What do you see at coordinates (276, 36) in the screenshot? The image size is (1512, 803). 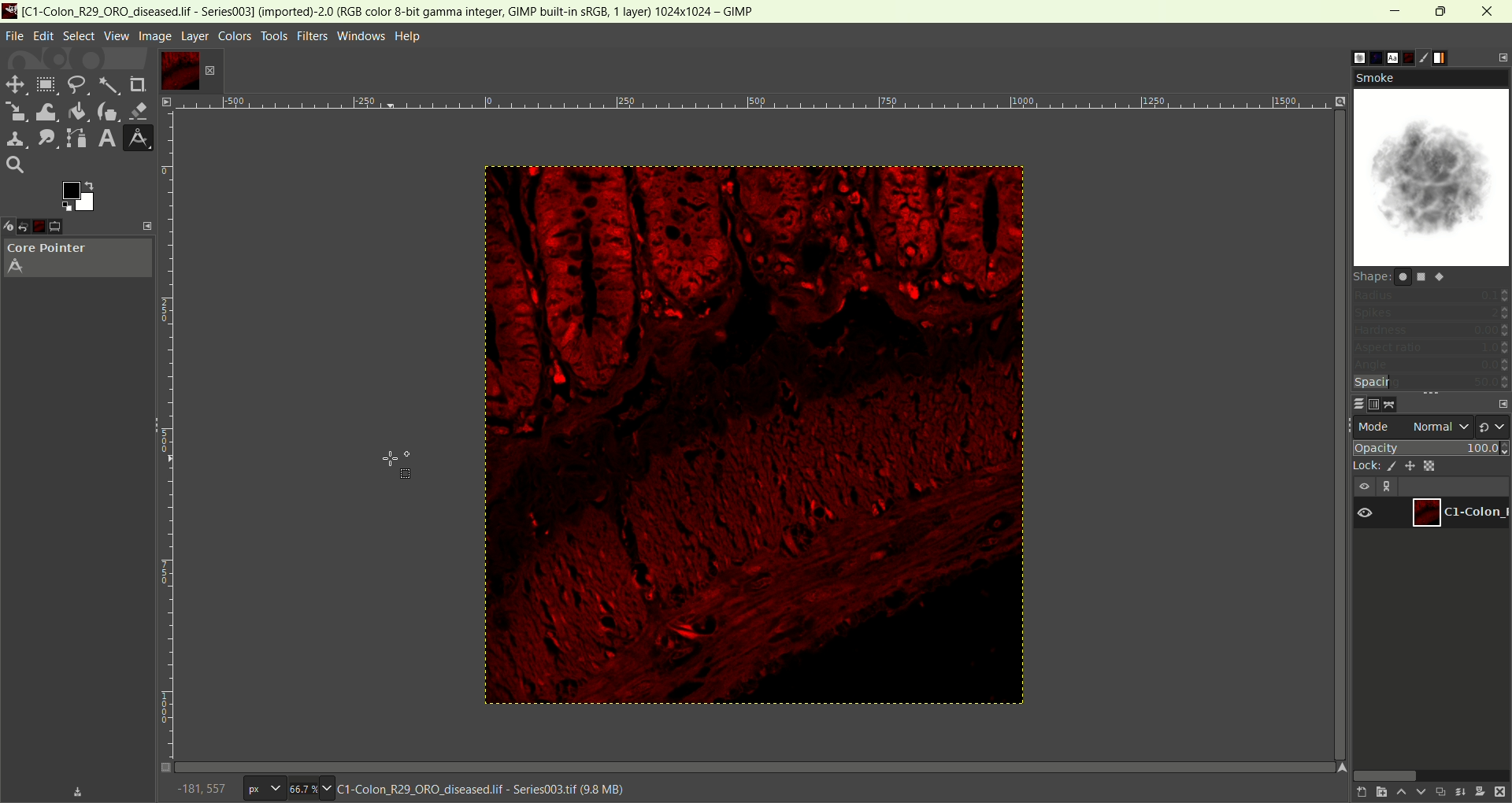 I see `tools` at bounding box center [276, 36].